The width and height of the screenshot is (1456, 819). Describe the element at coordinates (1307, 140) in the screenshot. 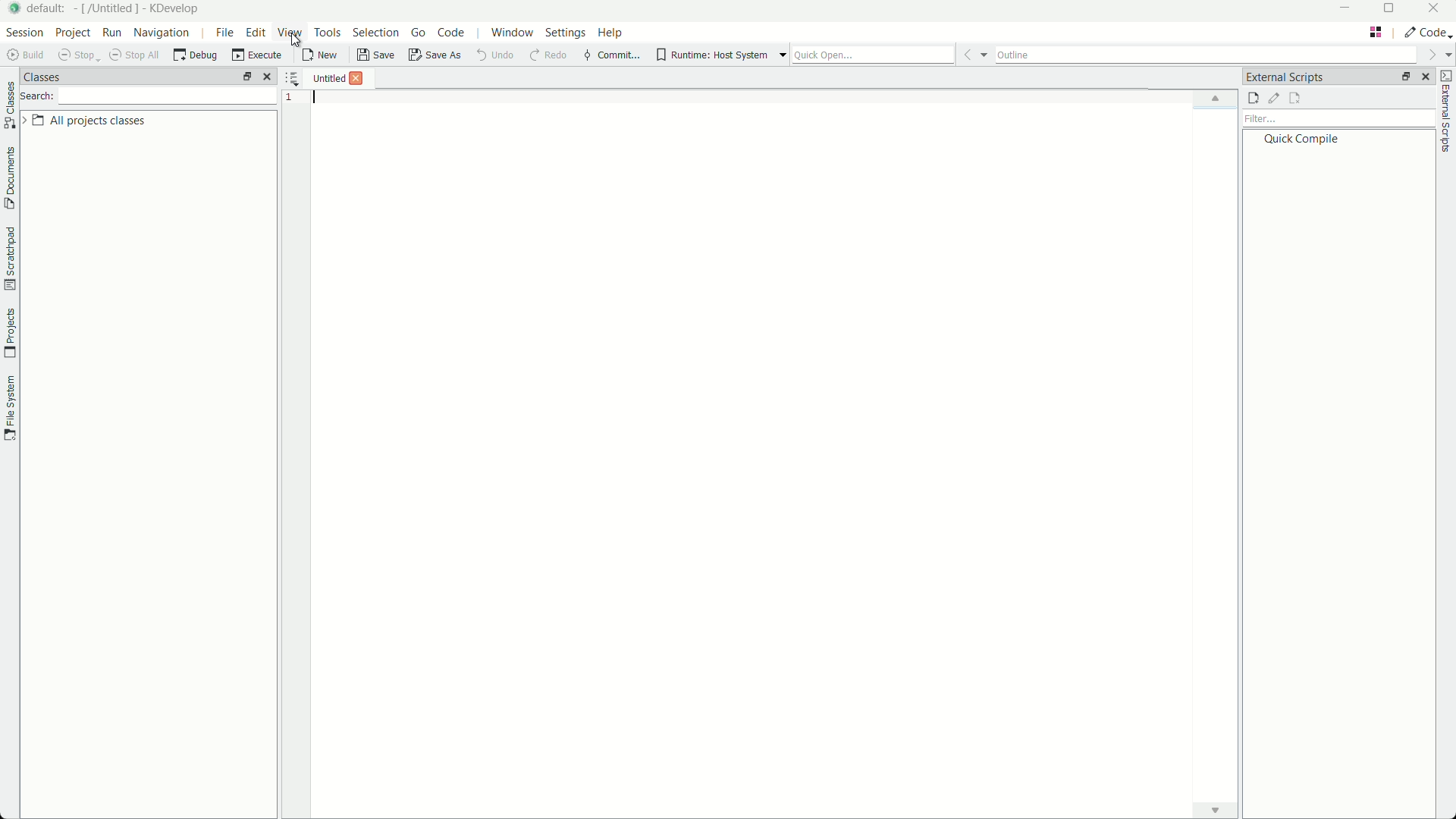

I see `quick compile` at that location.